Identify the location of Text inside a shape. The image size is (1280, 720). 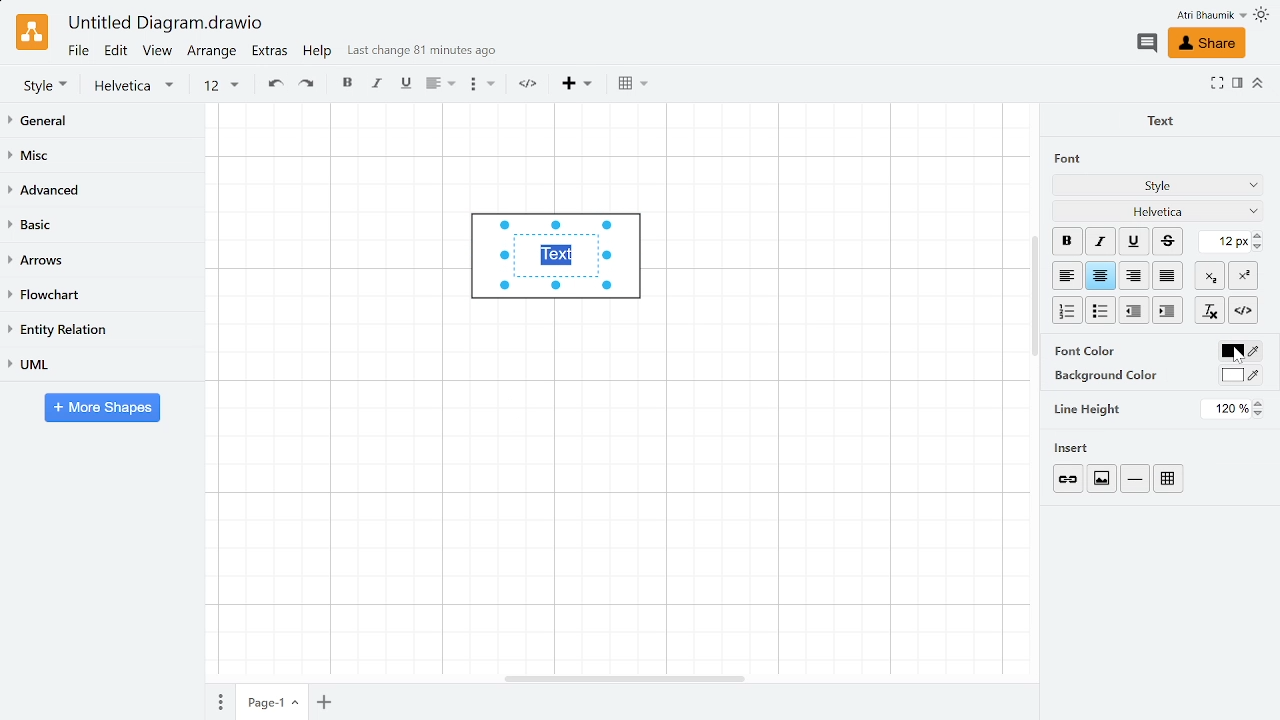
(563, 265).